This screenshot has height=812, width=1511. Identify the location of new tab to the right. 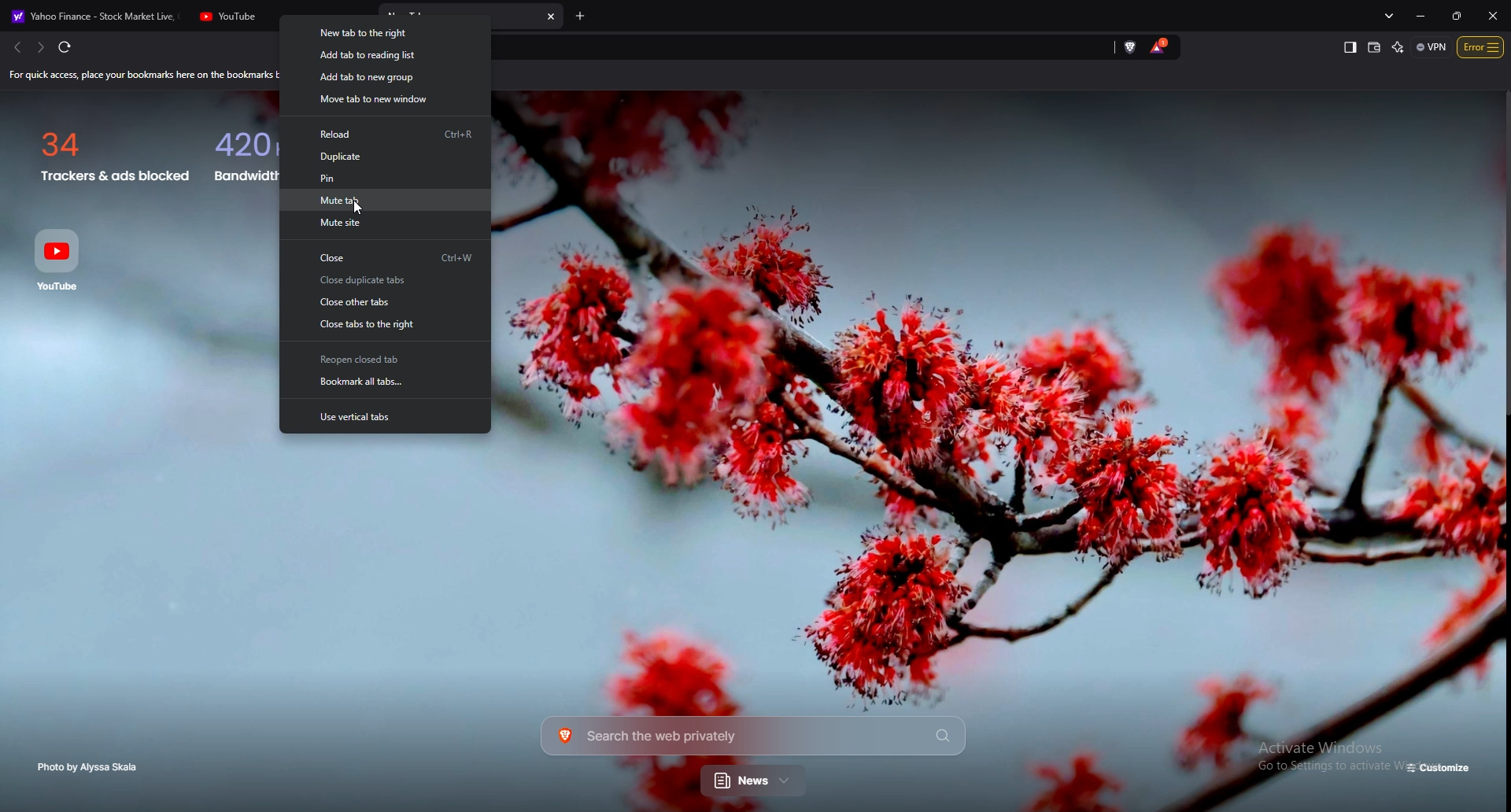
(382, 34).